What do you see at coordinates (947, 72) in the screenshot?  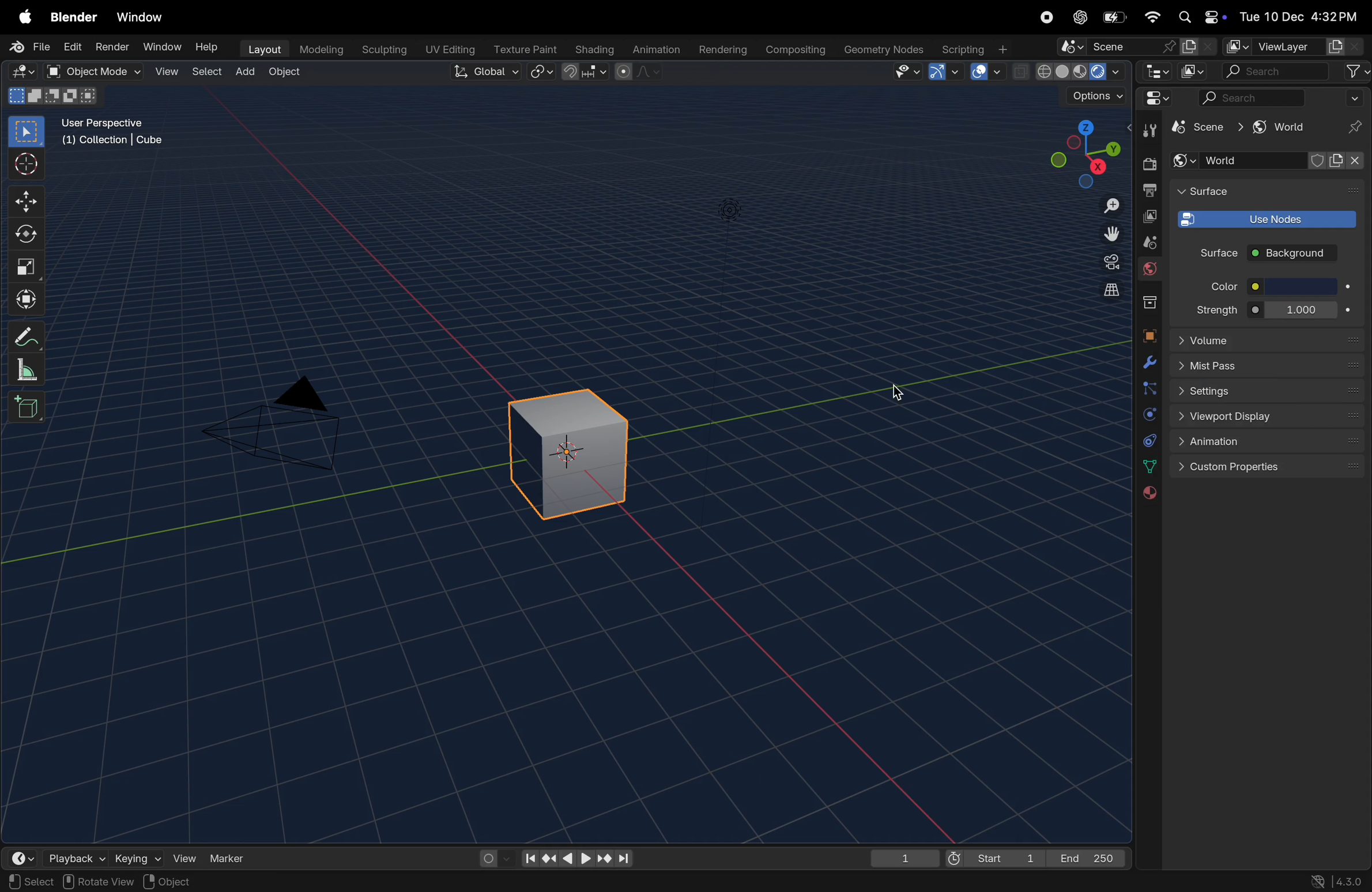 I see `show gimzo` at bounding box center [947, 72].